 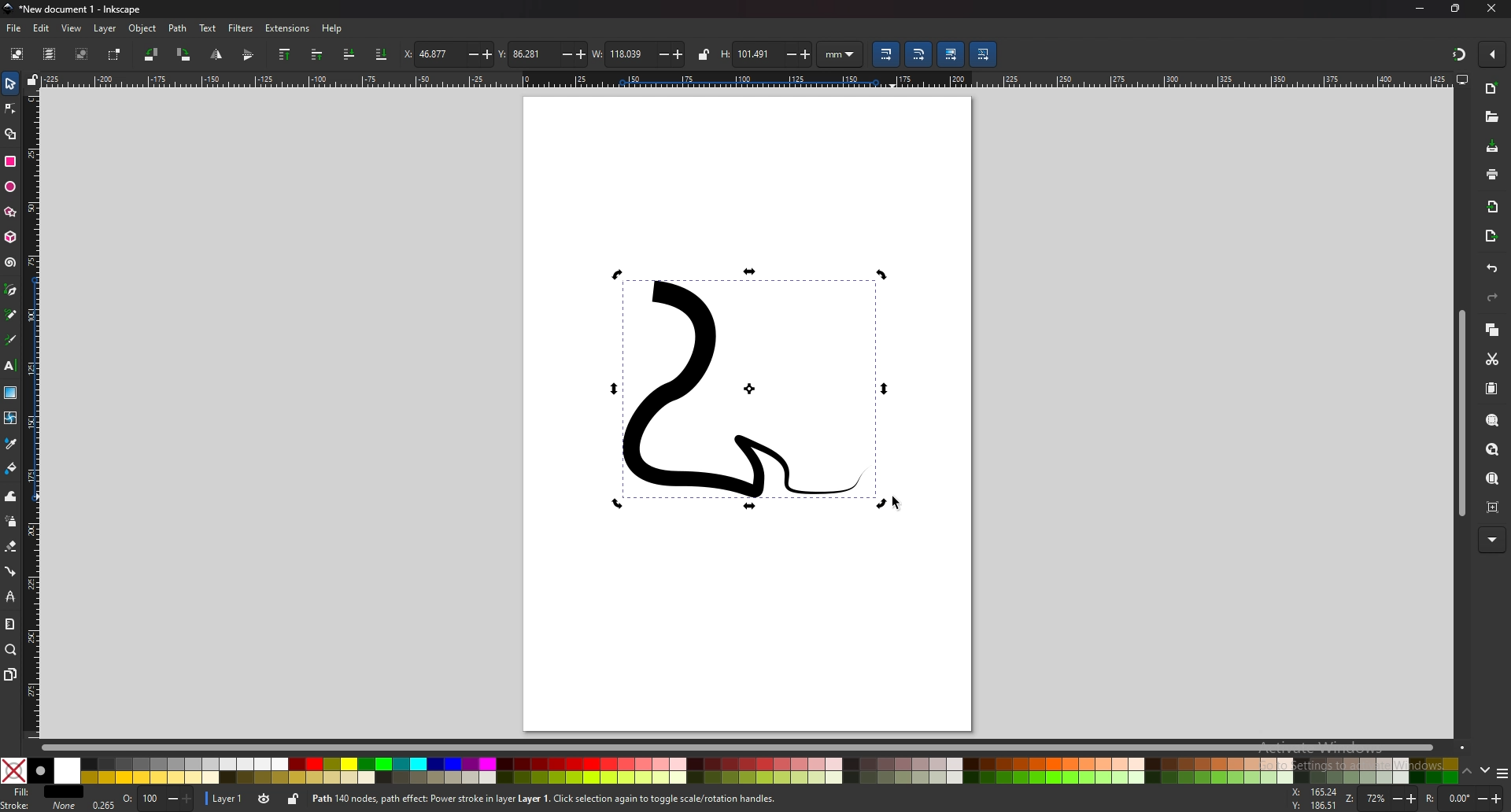 I want to click on zoom page, so click(x=1492, y=479).